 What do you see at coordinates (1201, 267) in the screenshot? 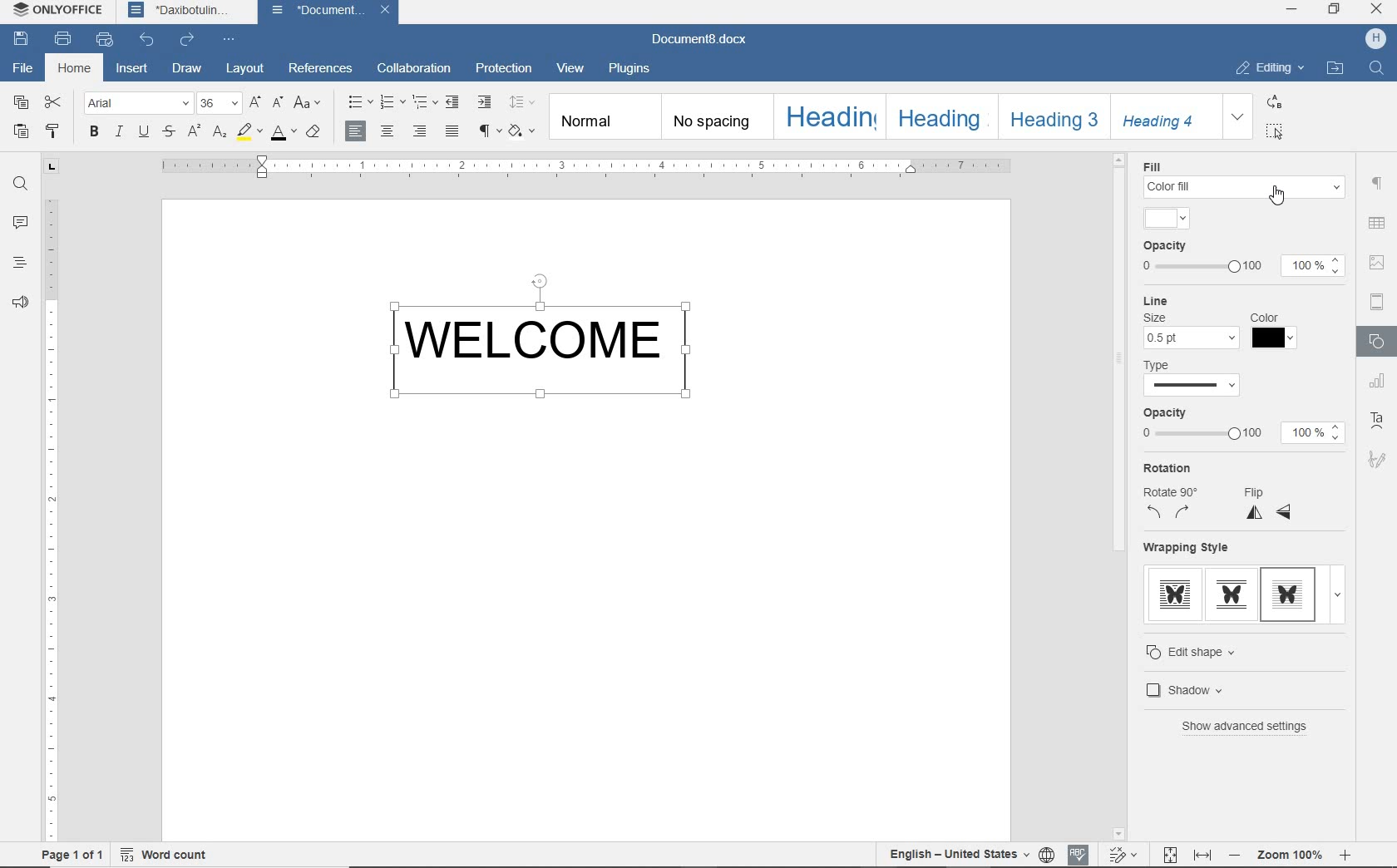
I see `opacity from 1 to 100` at bounding box center [1201, 267].